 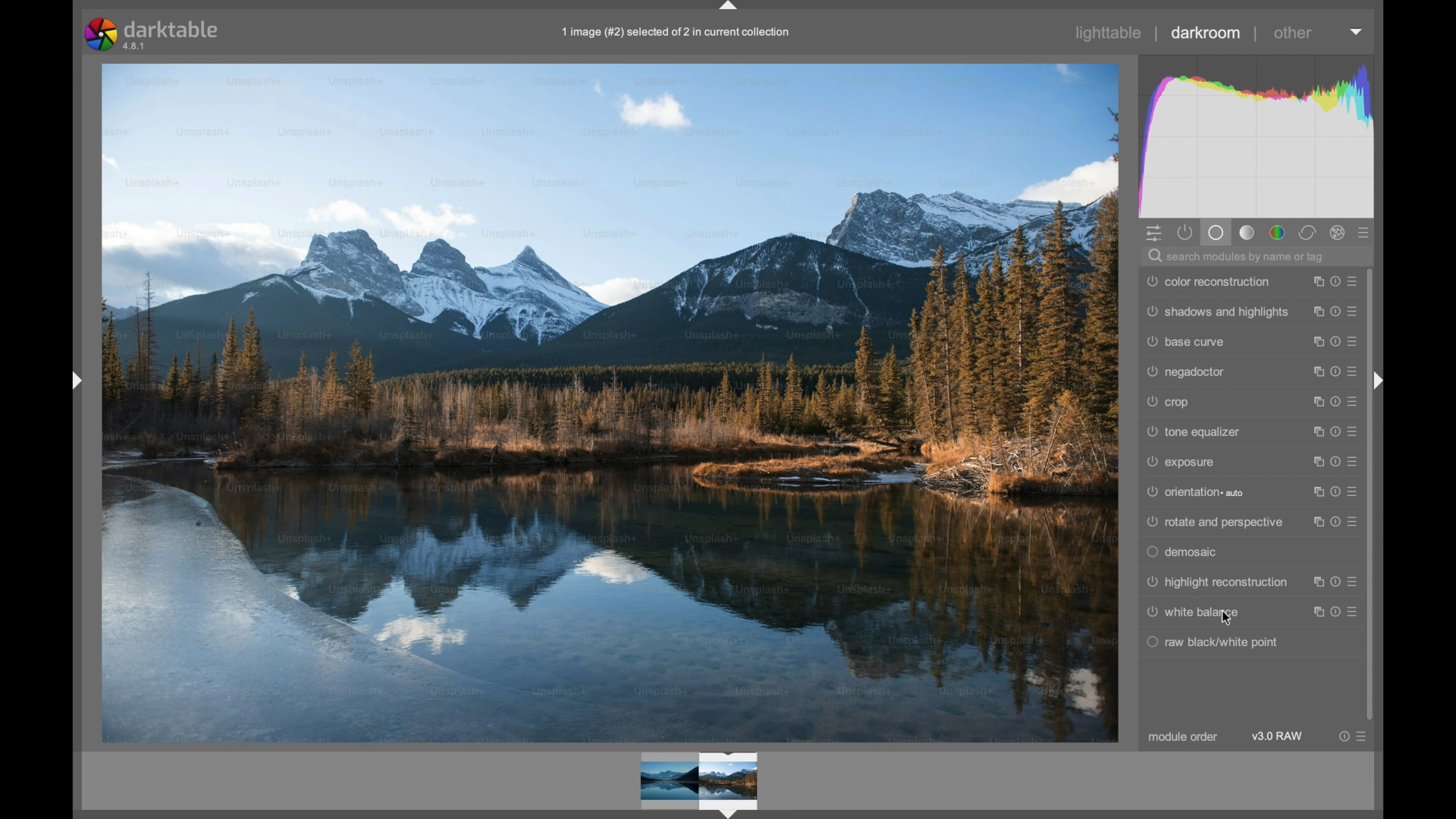 I want to click on show active module, so click(x=1186, y=232).